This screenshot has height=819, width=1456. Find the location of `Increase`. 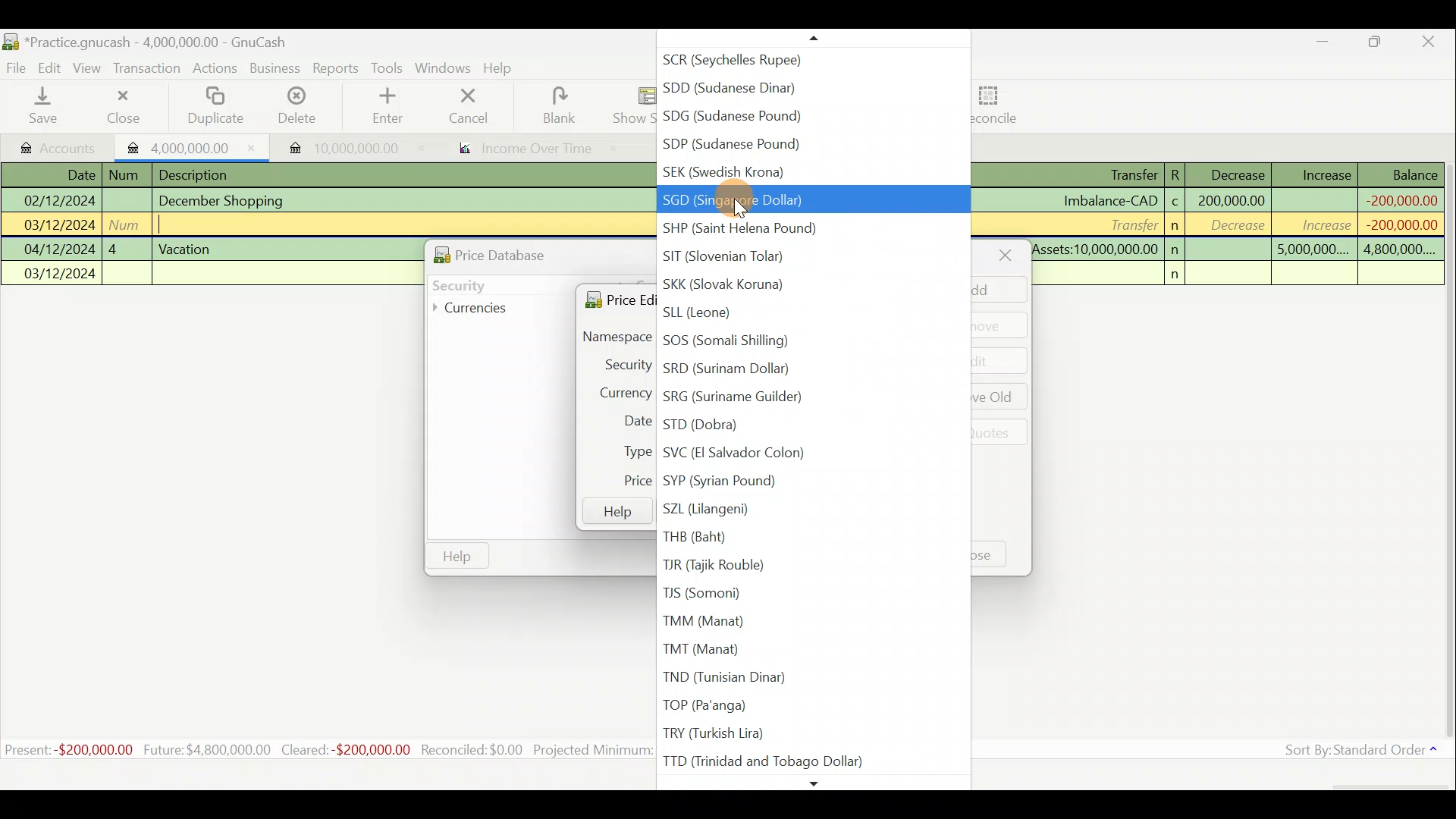

Increase is located at coordinates (1326, 173).